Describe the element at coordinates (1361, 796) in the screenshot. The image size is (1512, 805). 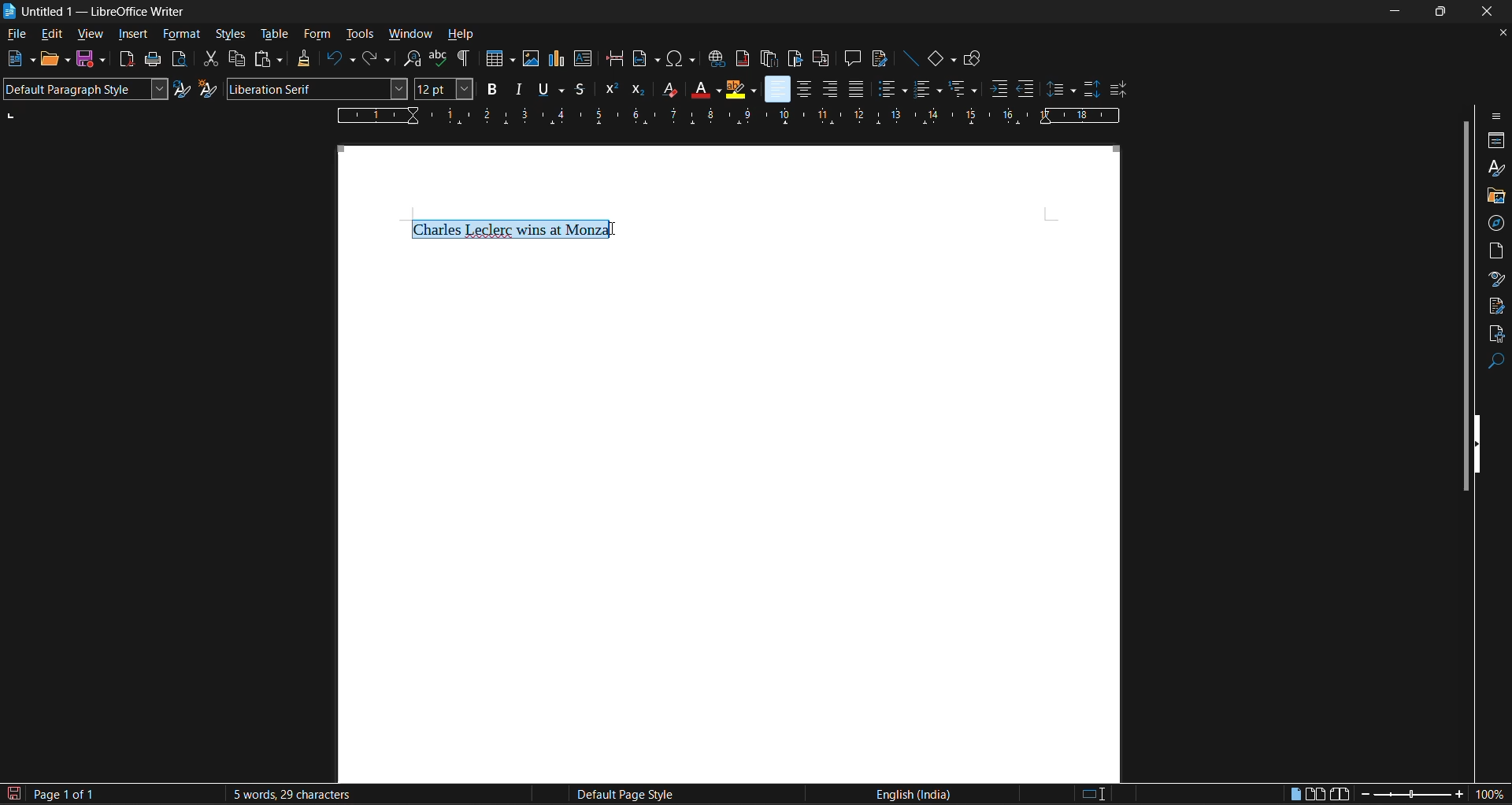
I see `zoom out` at that location.